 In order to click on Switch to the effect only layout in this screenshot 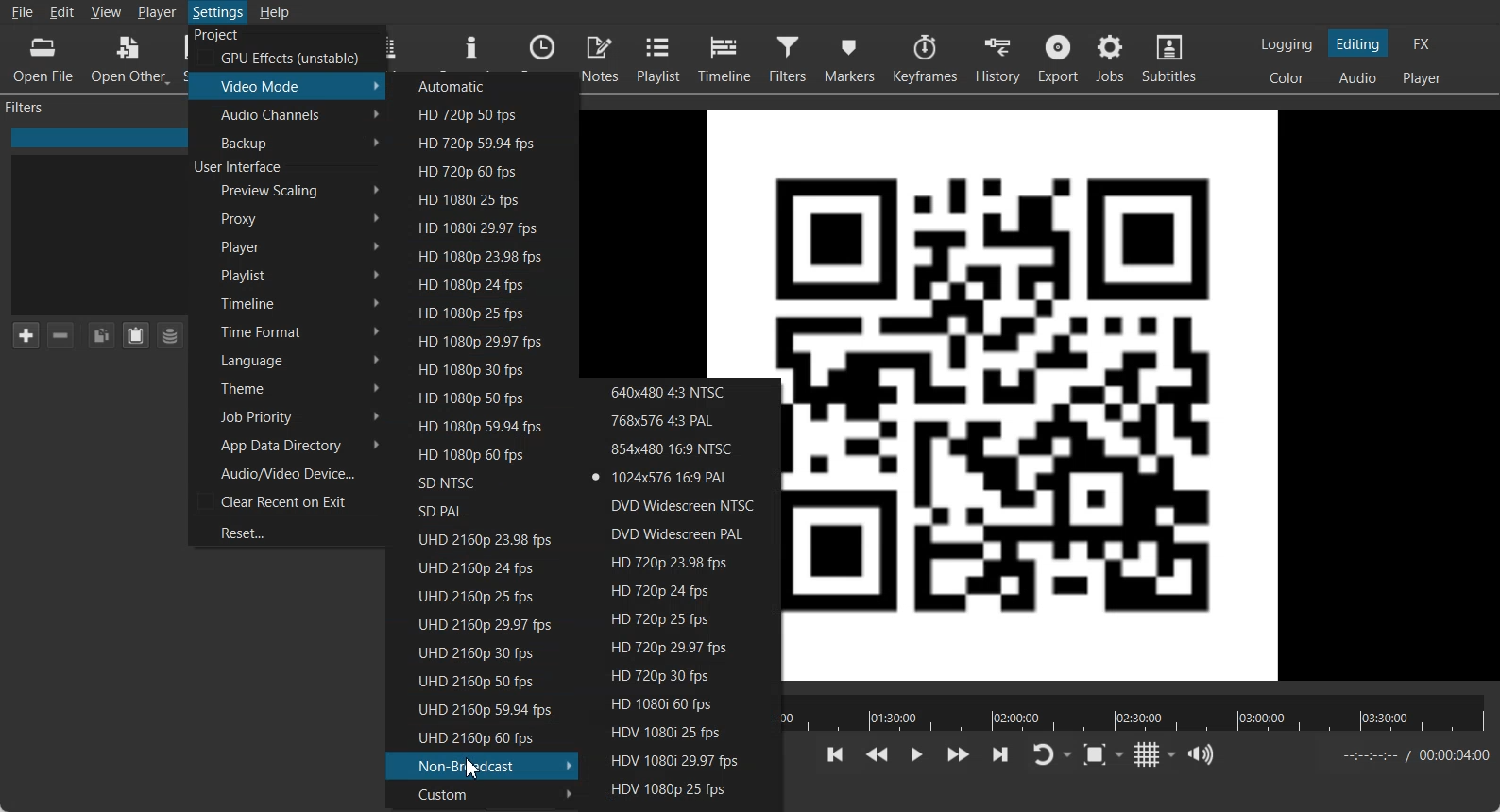, I will do `click(1424, 43)`.